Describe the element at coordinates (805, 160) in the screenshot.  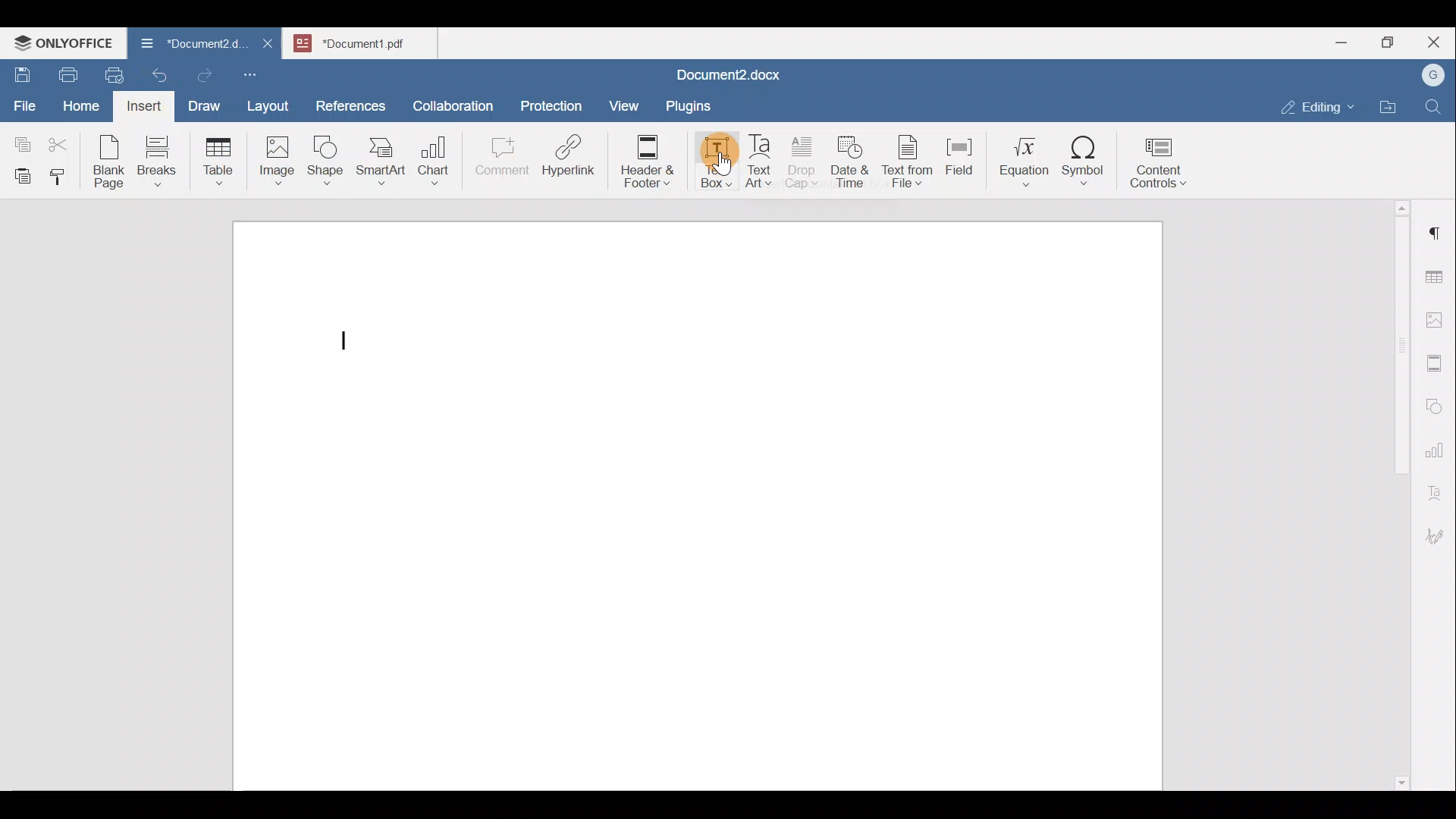
I see `Drop cap` at that location.